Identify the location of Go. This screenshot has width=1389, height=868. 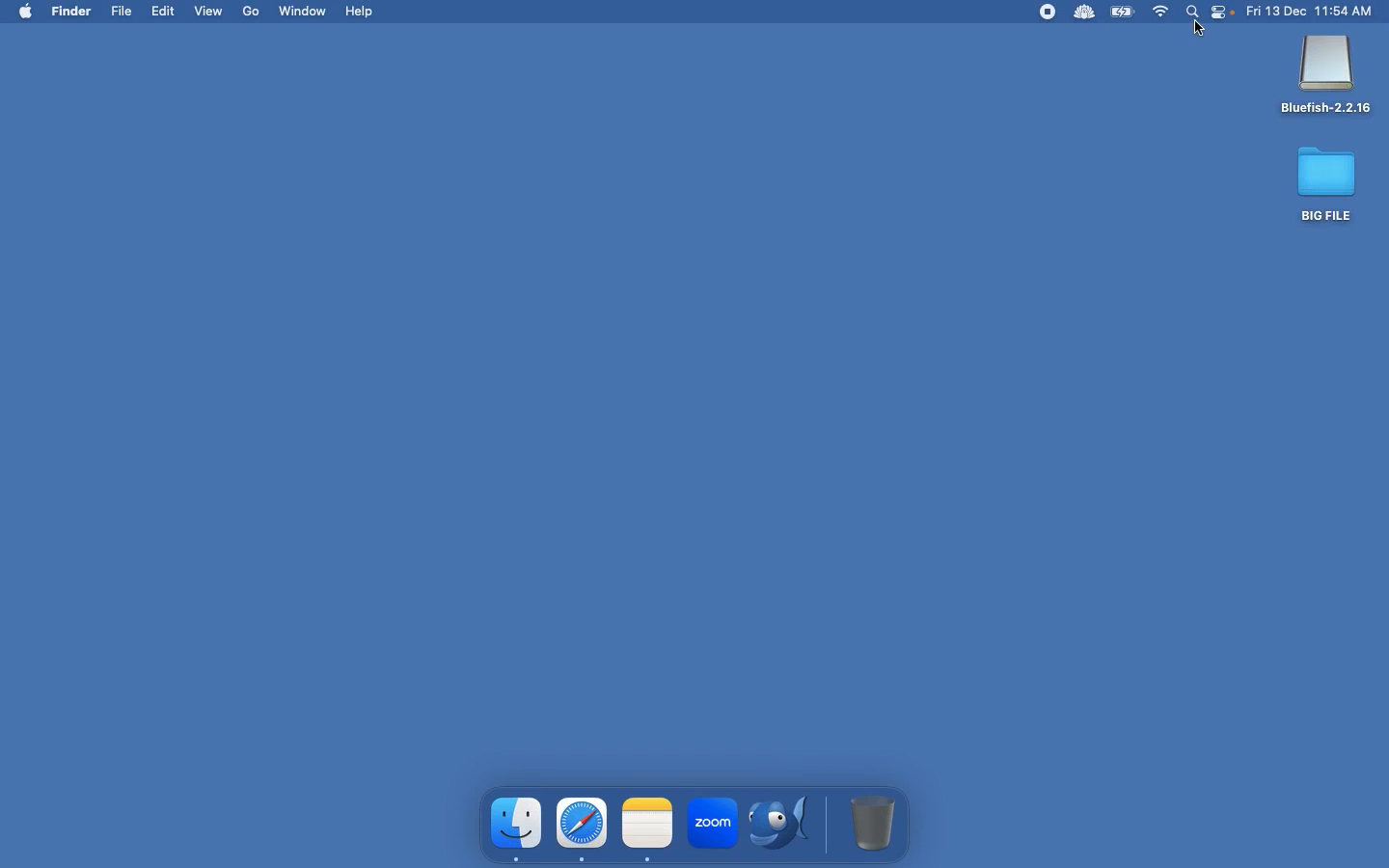
(253, 12).